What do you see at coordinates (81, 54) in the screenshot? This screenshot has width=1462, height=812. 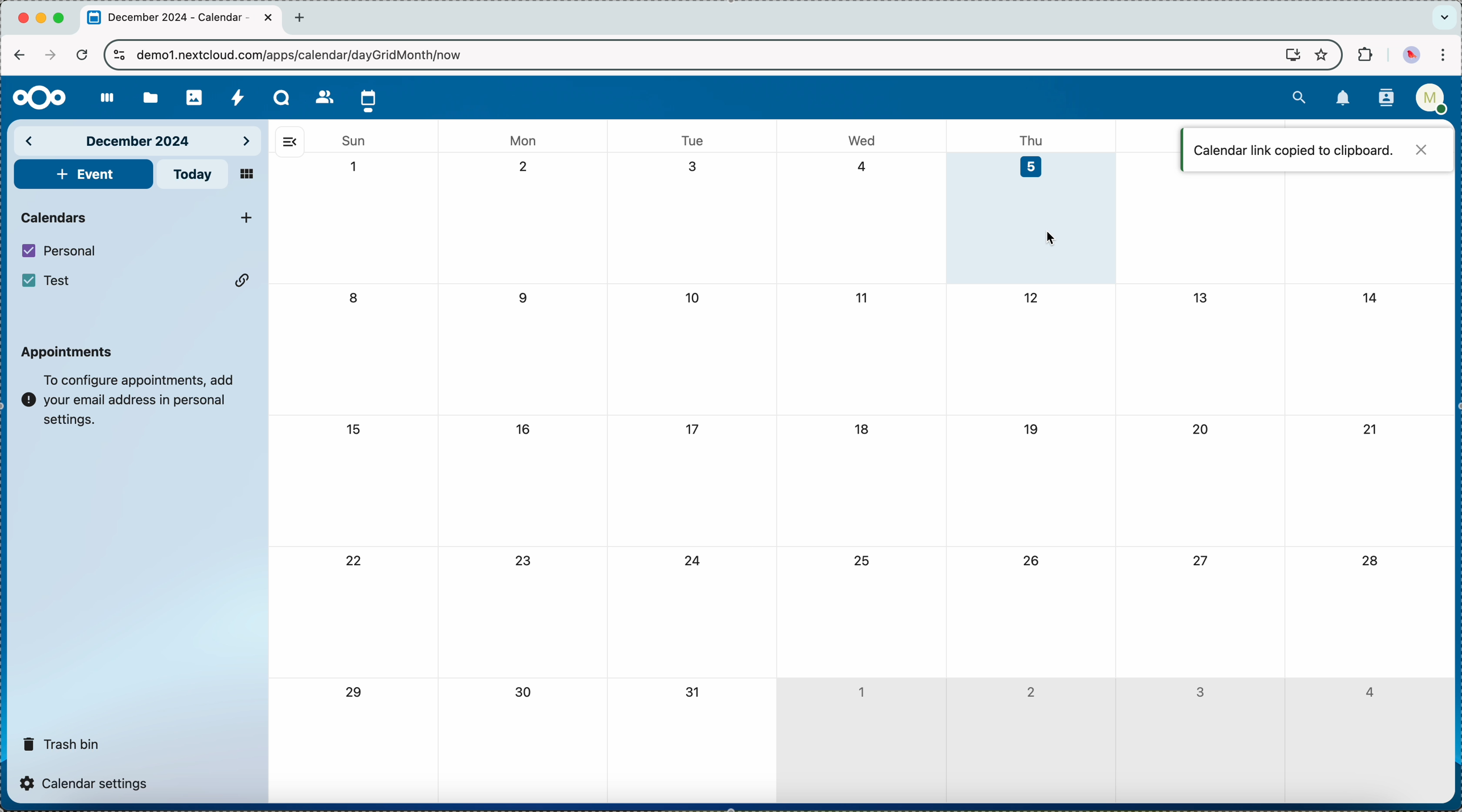 I see `refresh the page` at bounding box center [81, 54].